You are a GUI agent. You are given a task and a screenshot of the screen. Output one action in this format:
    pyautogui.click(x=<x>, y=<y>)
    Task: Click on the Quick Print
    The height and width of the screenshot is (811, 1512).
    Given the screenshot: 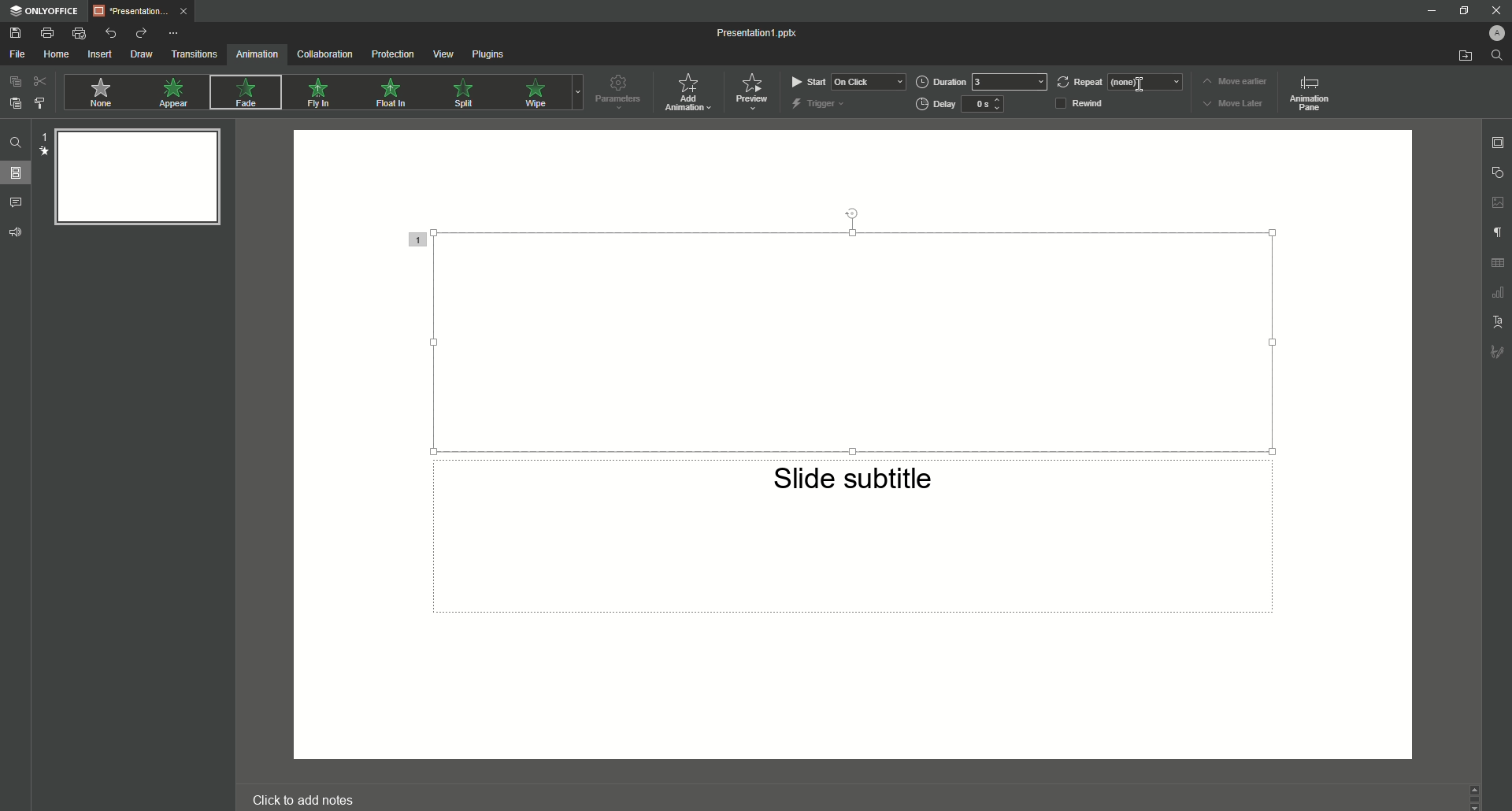 What is the action you would take?
    pyautogui.click(x=79, y=33)
    